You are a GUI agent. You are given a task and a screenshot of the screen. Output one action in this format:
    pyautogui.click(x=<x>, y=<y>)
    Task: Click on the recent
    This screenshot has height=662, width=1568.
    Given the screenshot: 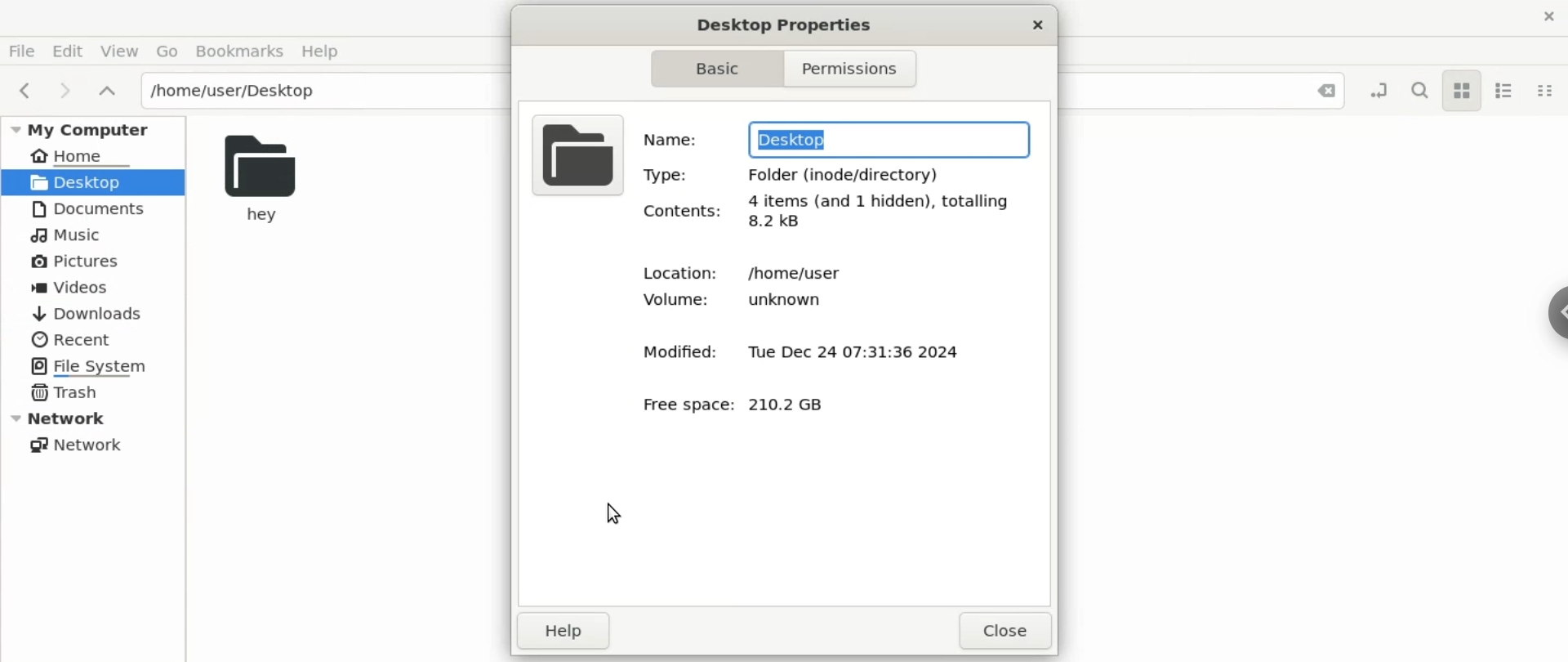 What is the action you would take?
    pyautogui.click(x=74, y=339)
    